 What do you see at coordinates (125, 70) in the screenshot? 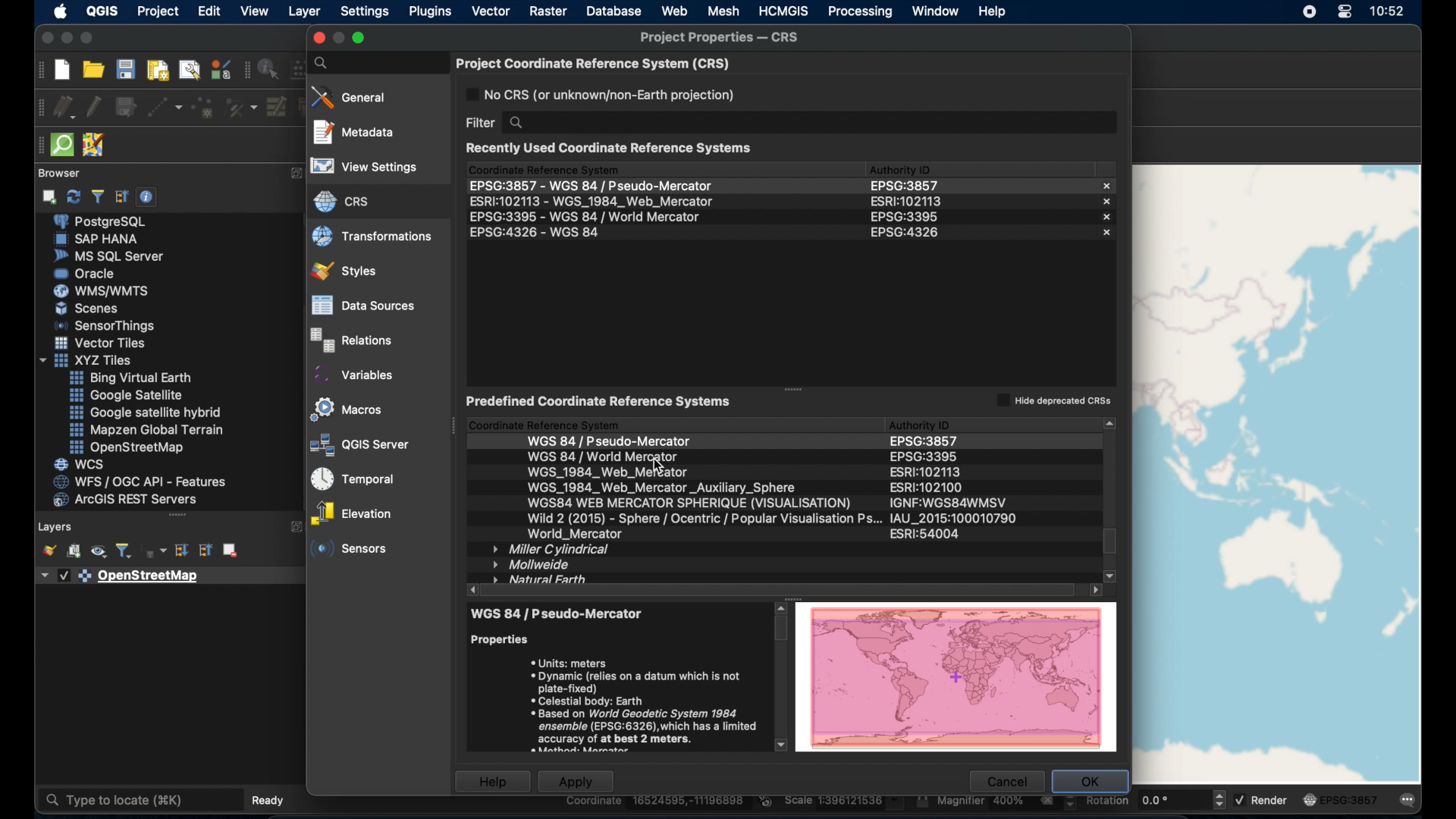
I see `save project` at bounding box center [125, 70].